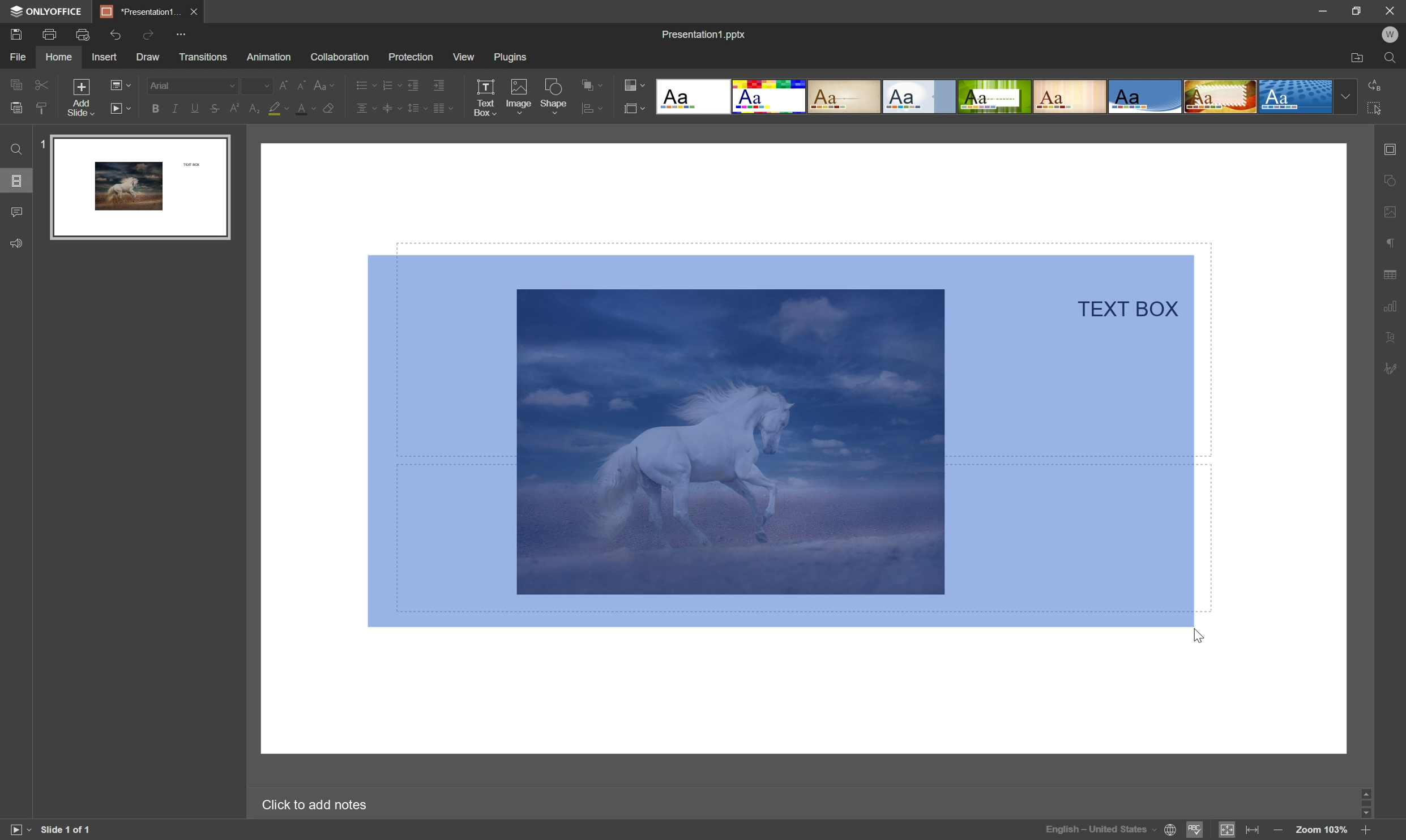 Image resolution: width=1406 pixels, height=840 pixels. What do you see at coordinates (1390, 35) in the screenshot?
I see `W` at bounding box center [1390, 35].